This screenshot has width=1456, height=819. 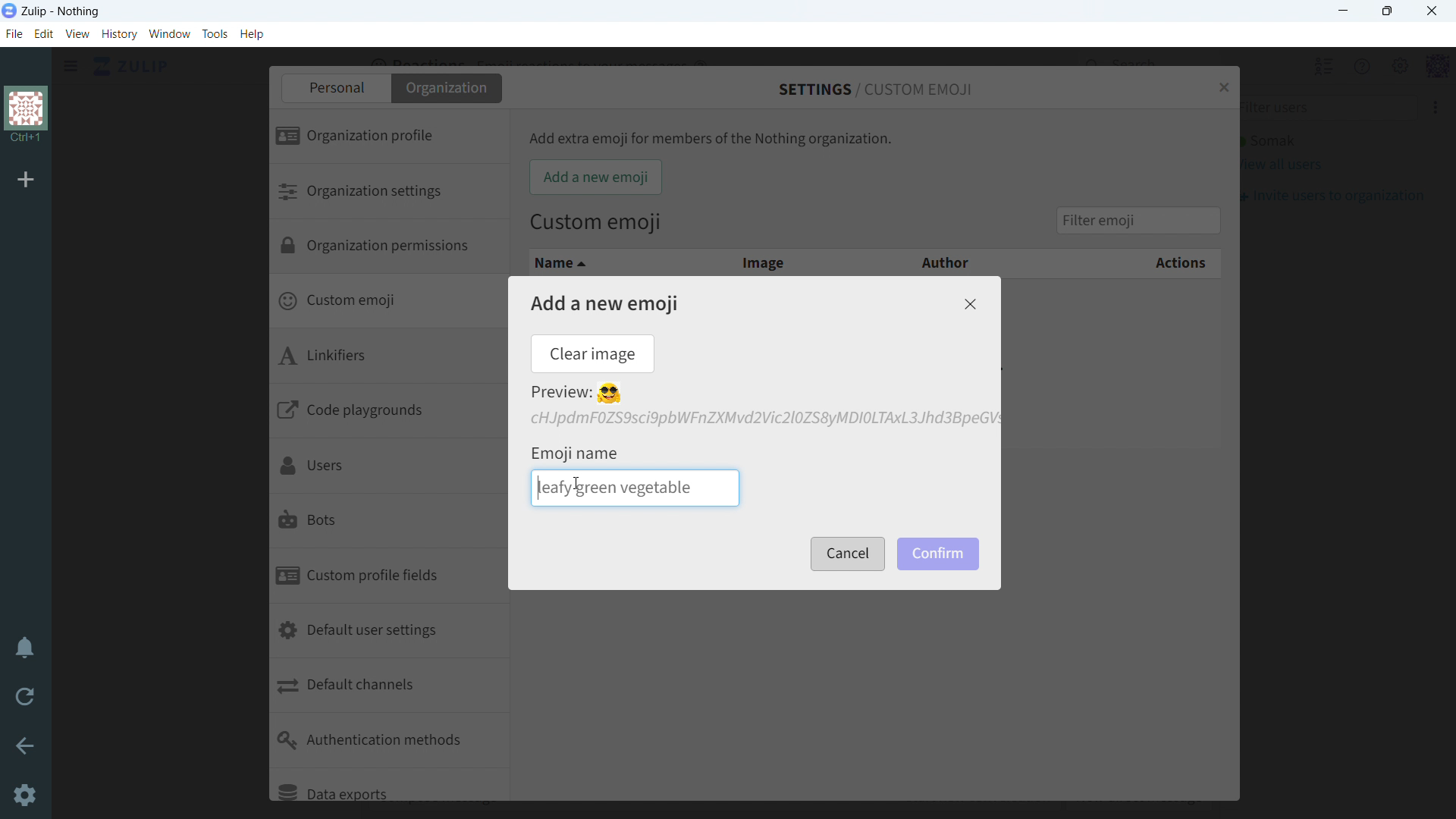 I want to click on default user settings, so click(x=390, y=632).